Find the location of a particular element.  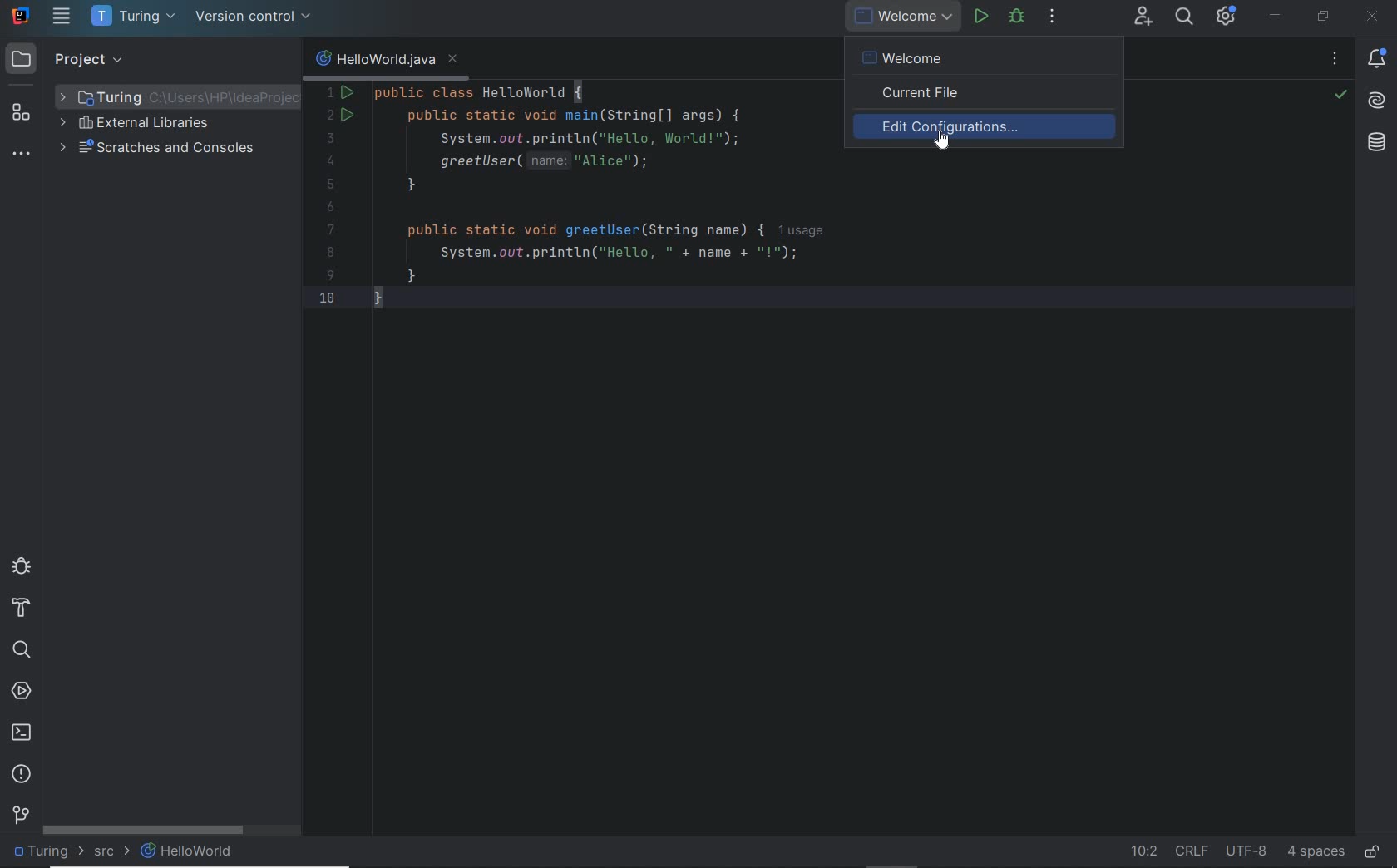

project name is located at coordinates (136, 17).